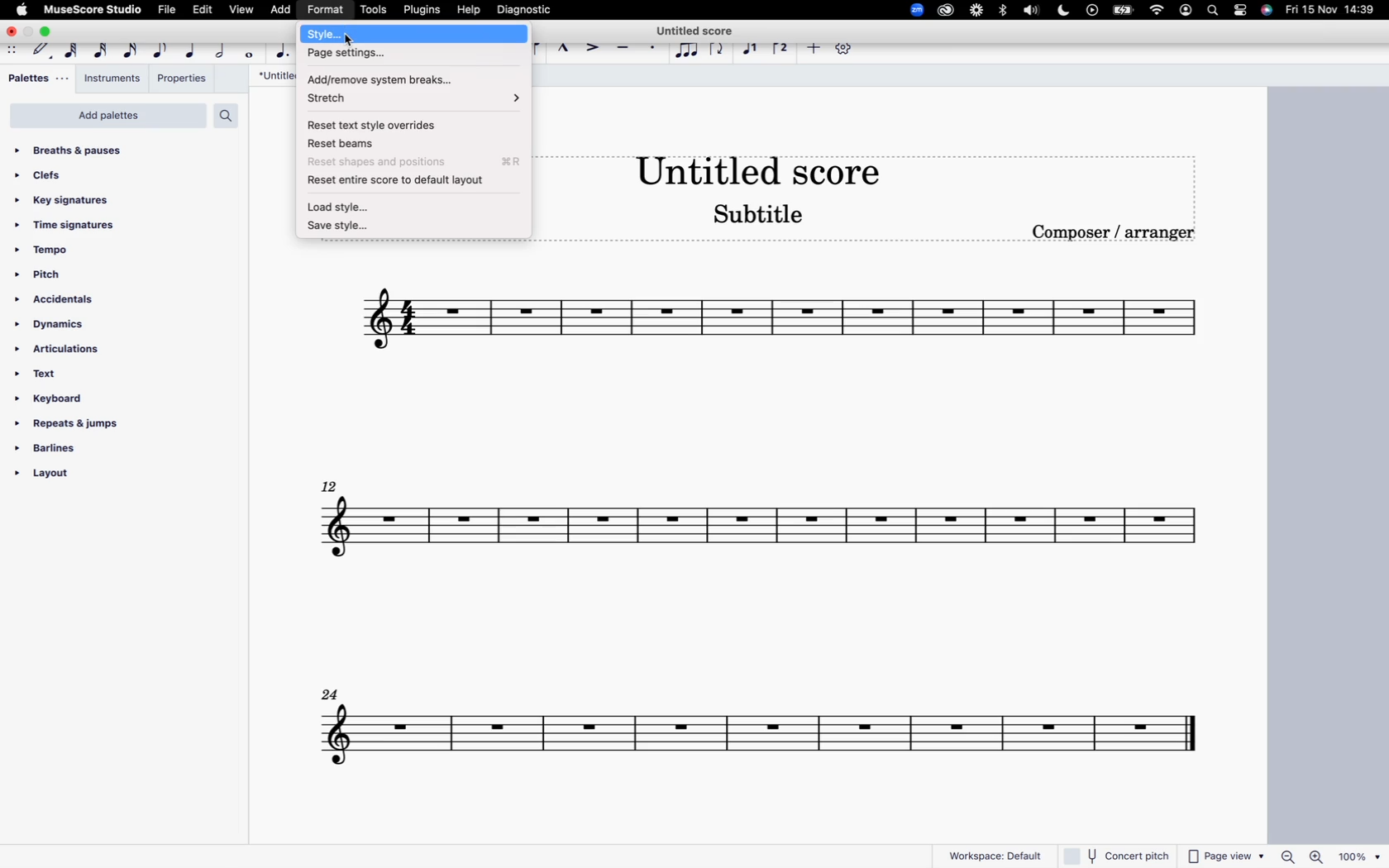 The image size is (1389, 868). Describe the element at coordinates (46, 254) in the screenshot. I see `tempo` at that location.